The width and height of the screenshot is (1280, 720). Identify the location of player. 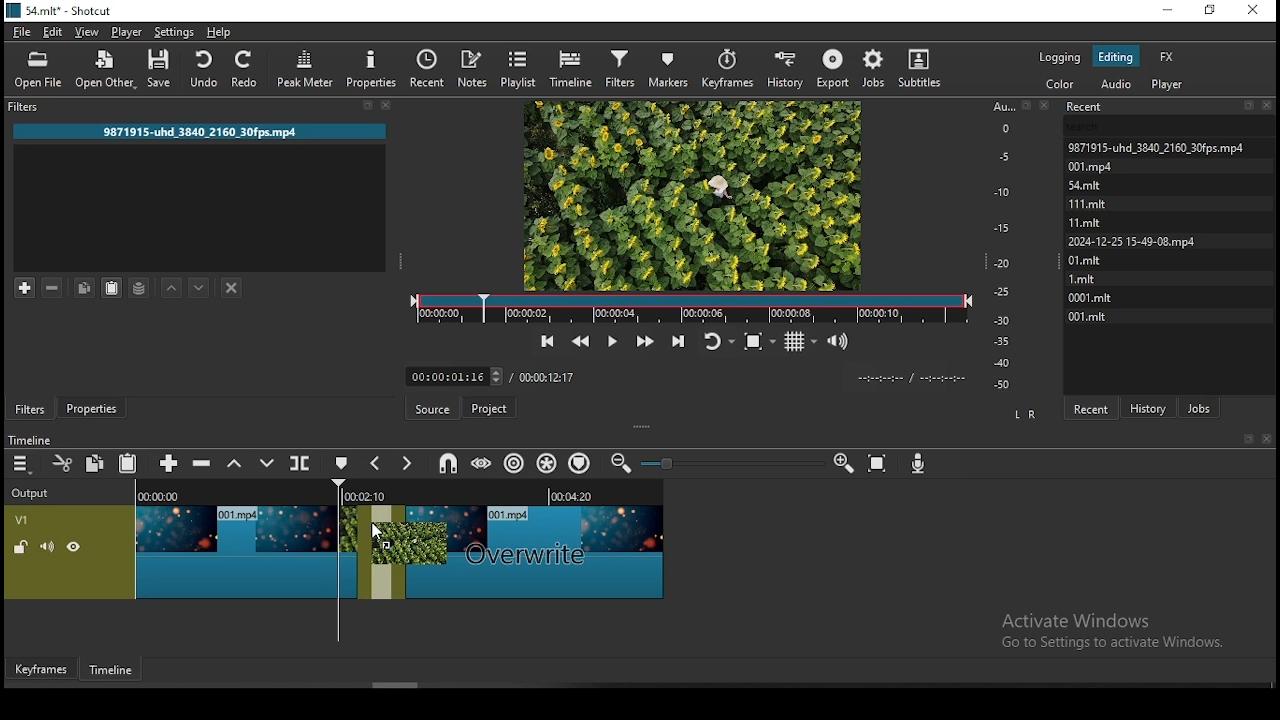
(1169, 86).